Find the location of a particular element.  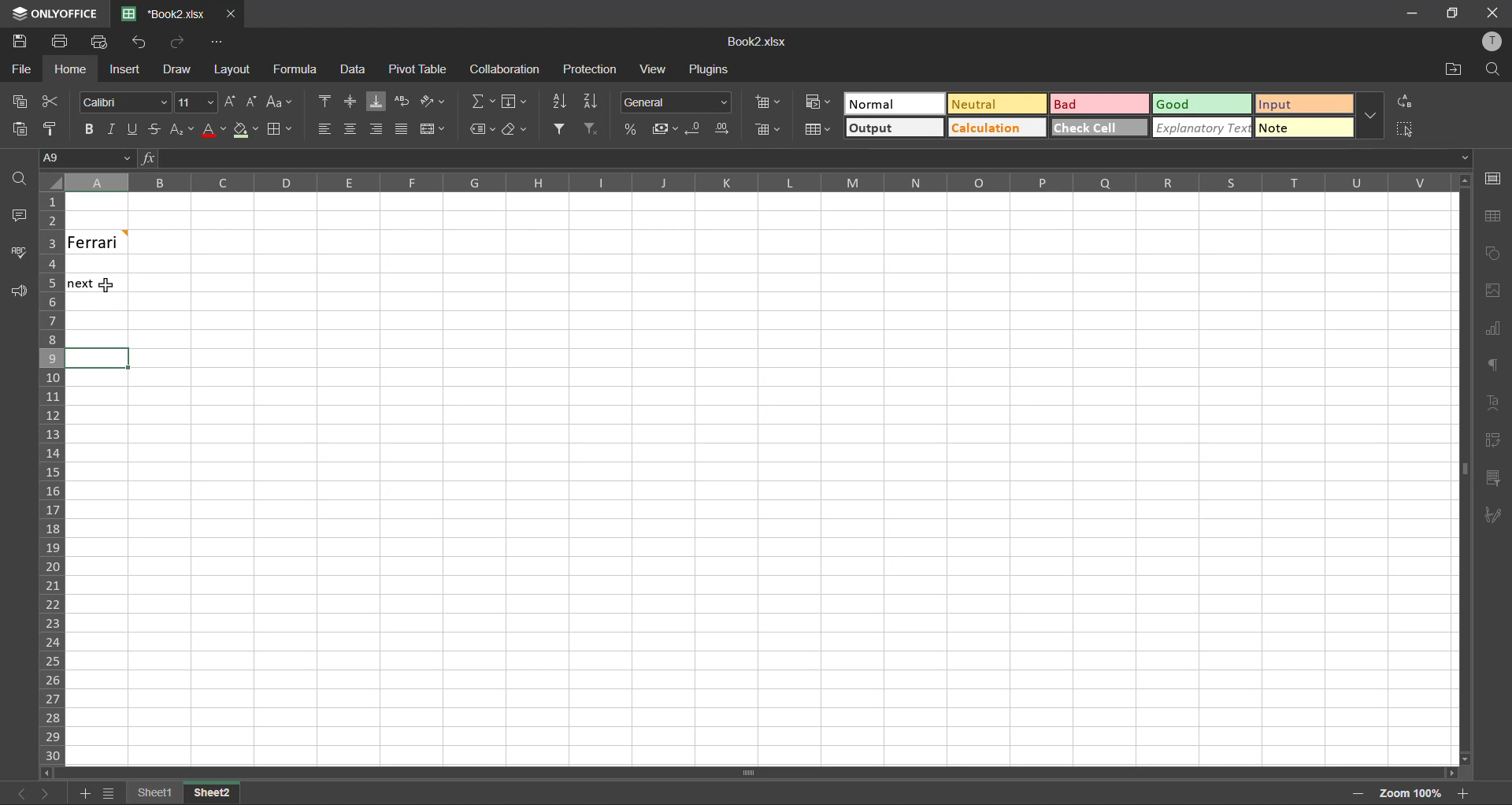

cut is located at coordinates (50, 101).